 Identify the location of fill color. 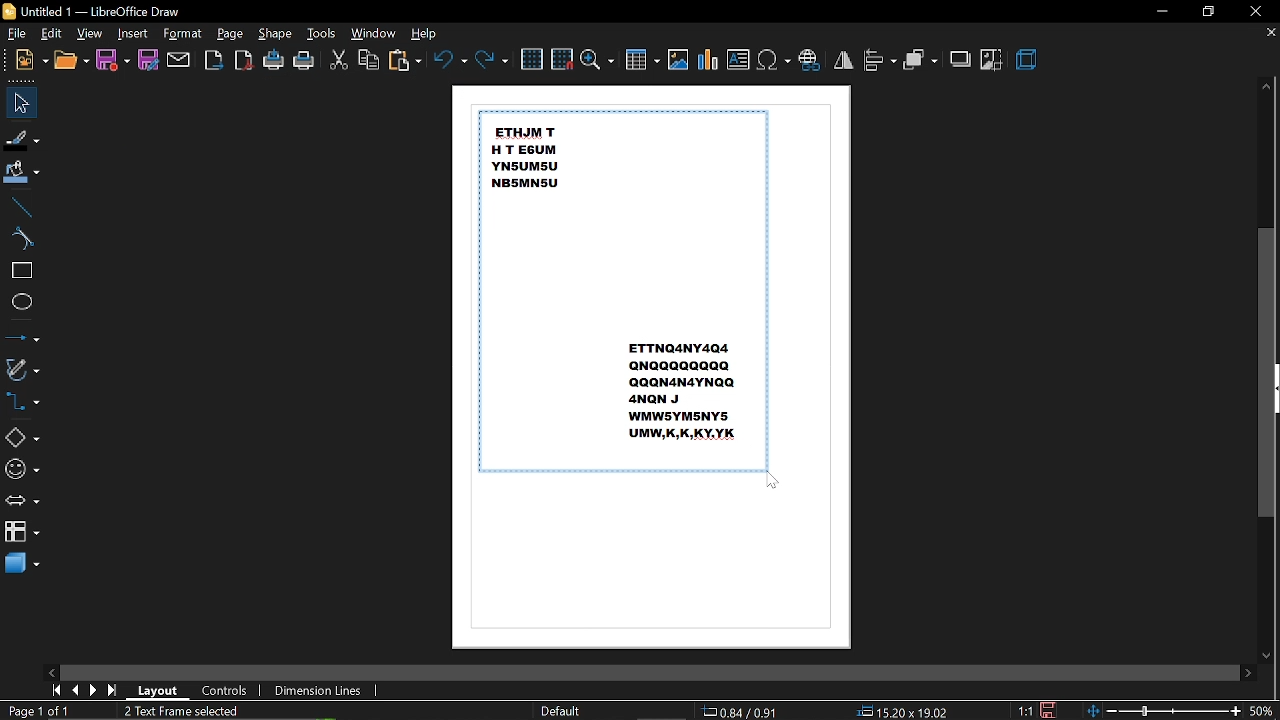
(24, 173).